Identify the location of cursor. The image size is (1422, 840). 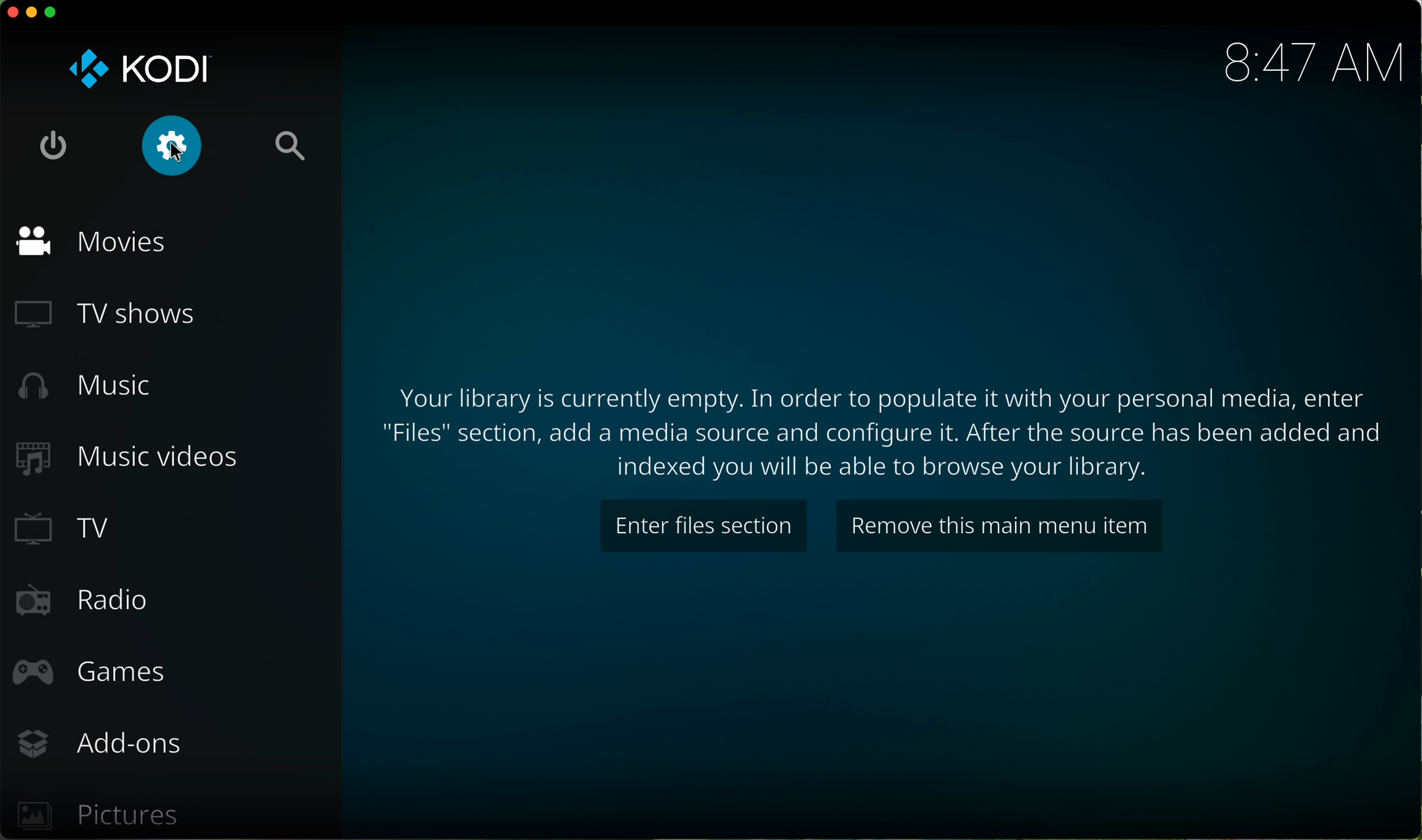
(179, 157).